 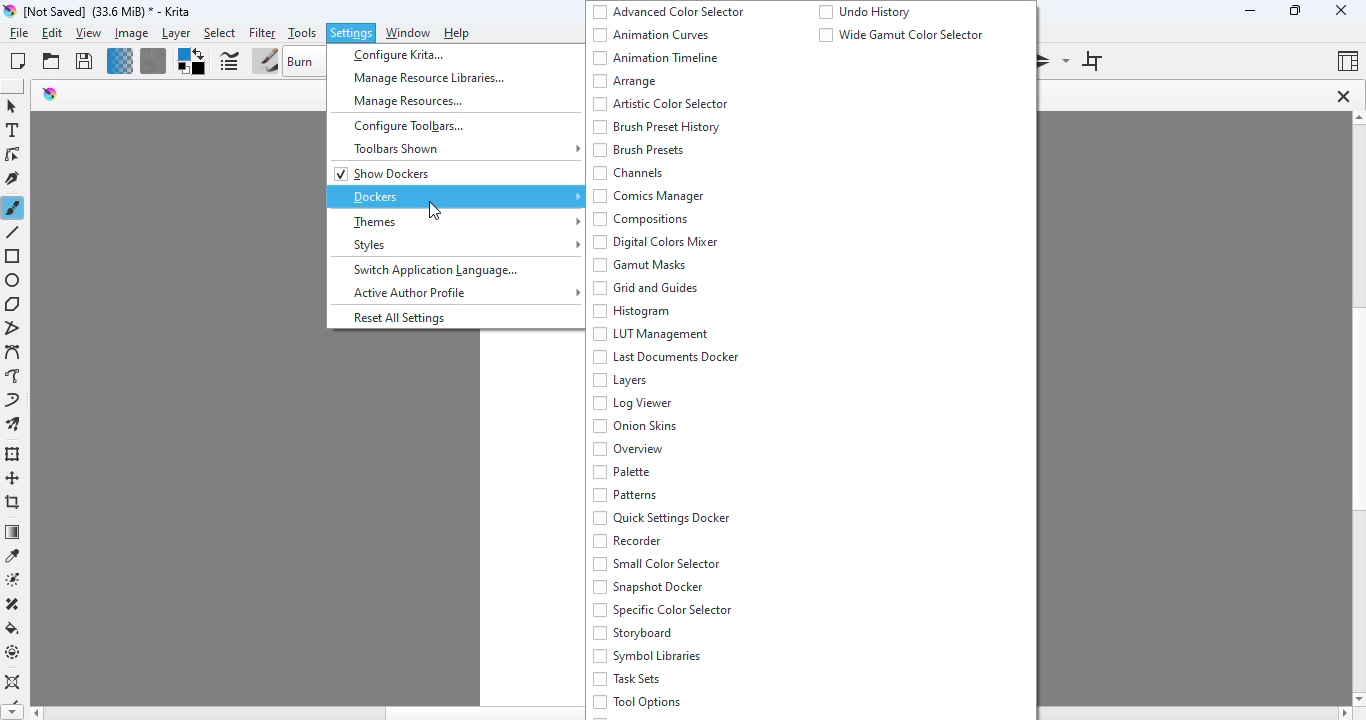 I want to click on task sets, so click(x=627, y=679).